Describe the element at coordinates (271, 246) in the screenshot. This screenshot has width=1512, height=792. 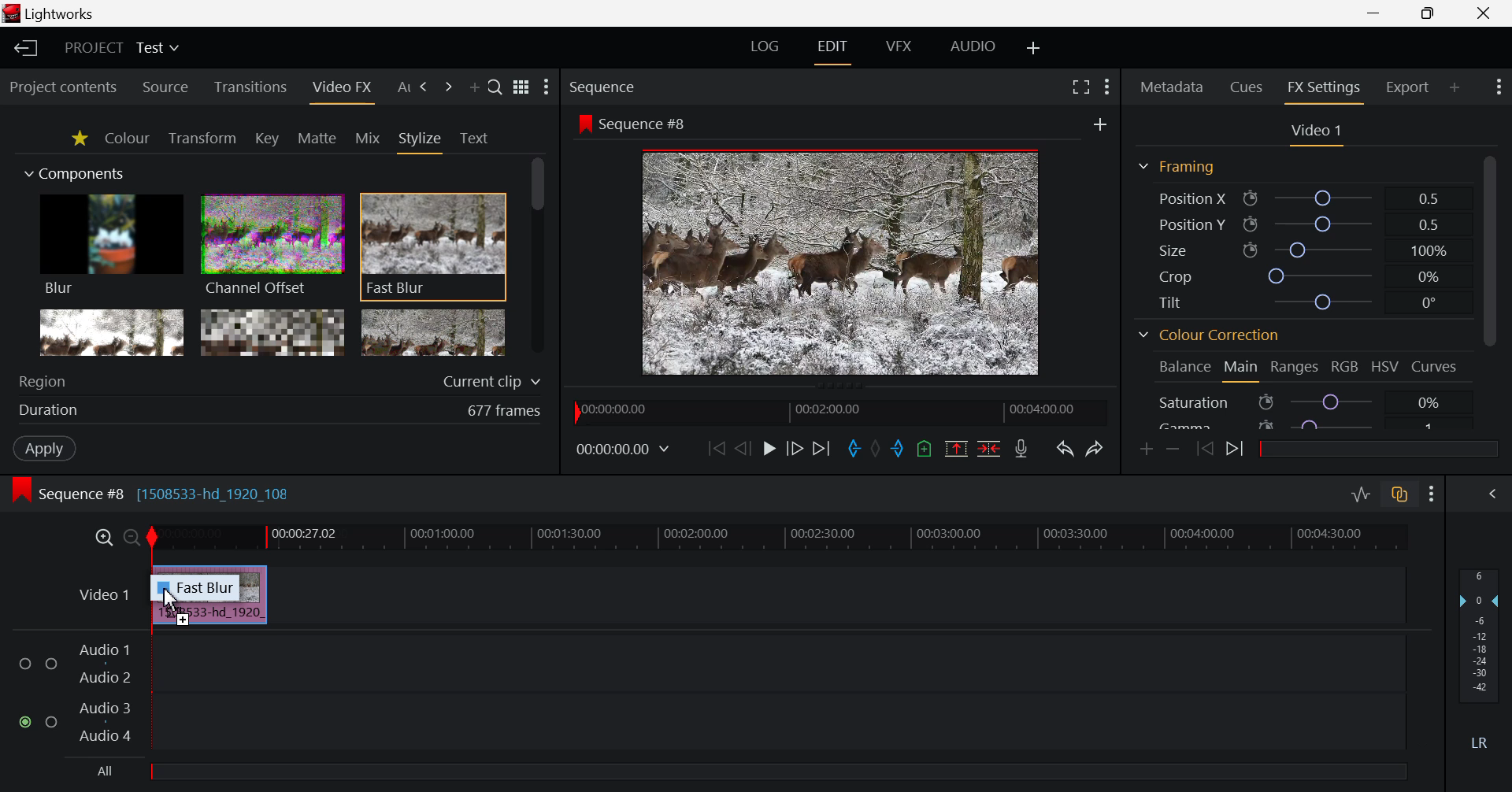
I see `Channel Offset` at that location.